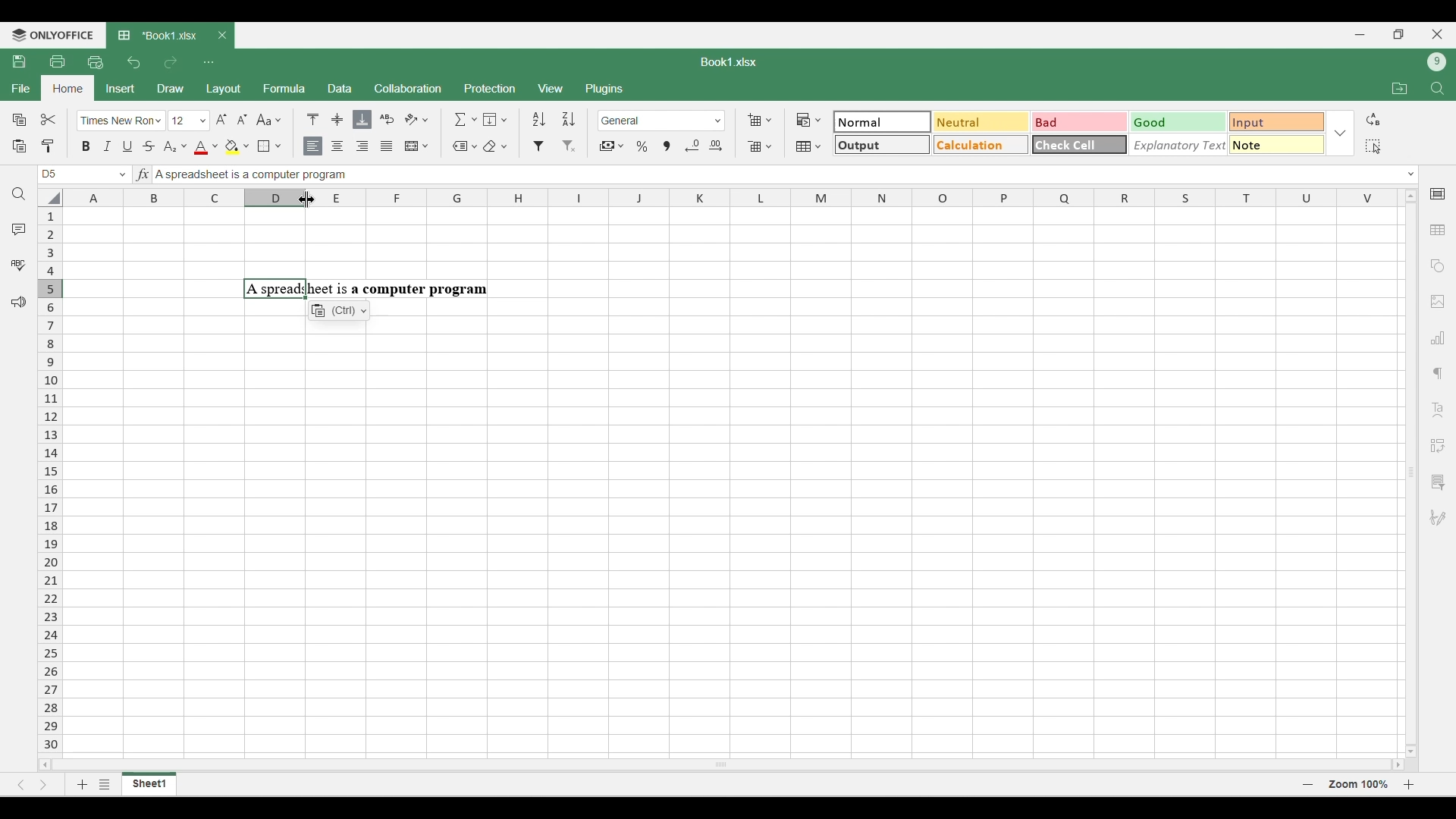  Describe the element at coordinates (1409, 784) in the screenshot. I see `Zoom in` at that location.